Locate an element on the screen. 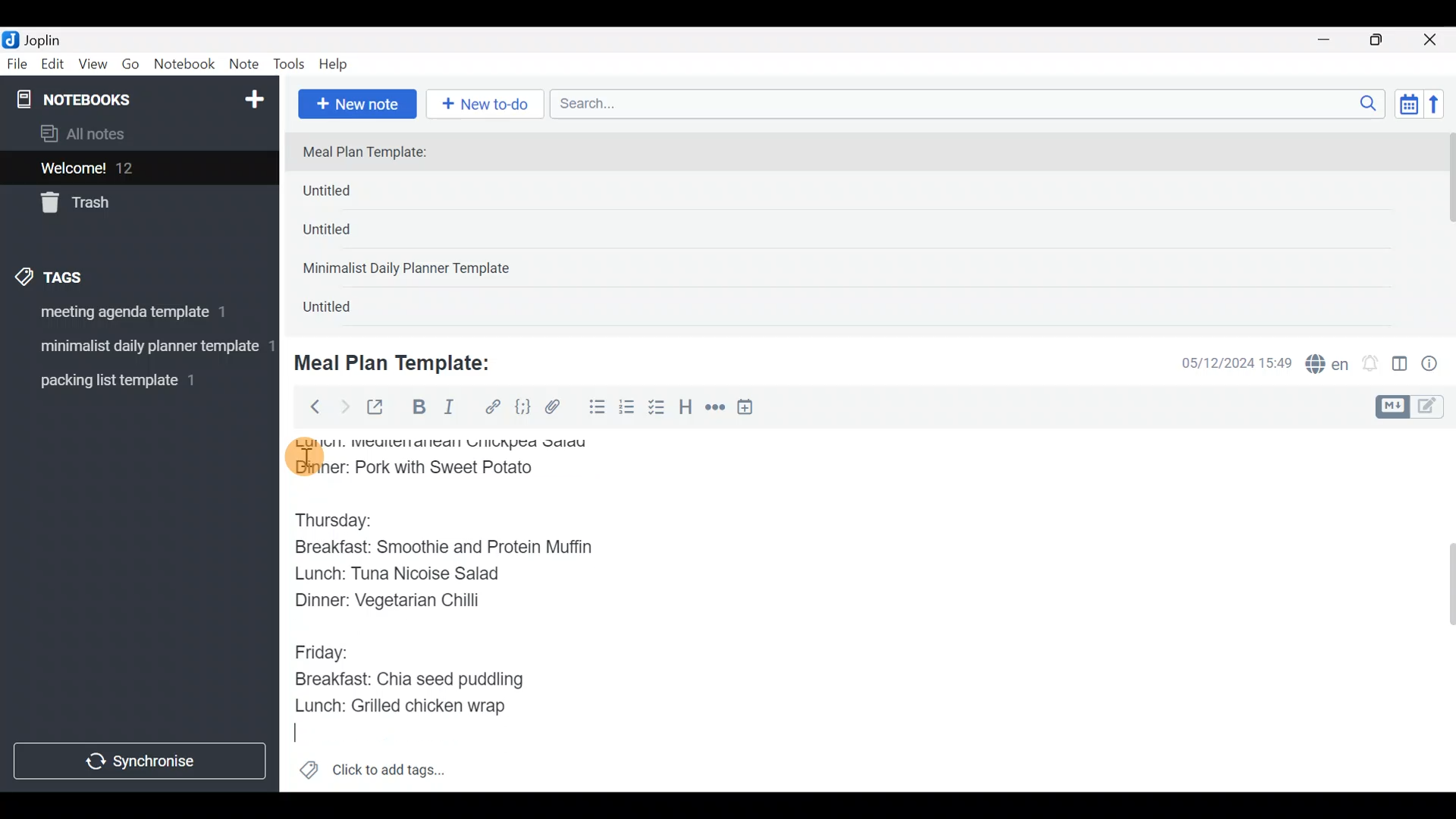 This screenshot has height=819, width=1456. Date & time is located at coordinates (1225, 362).